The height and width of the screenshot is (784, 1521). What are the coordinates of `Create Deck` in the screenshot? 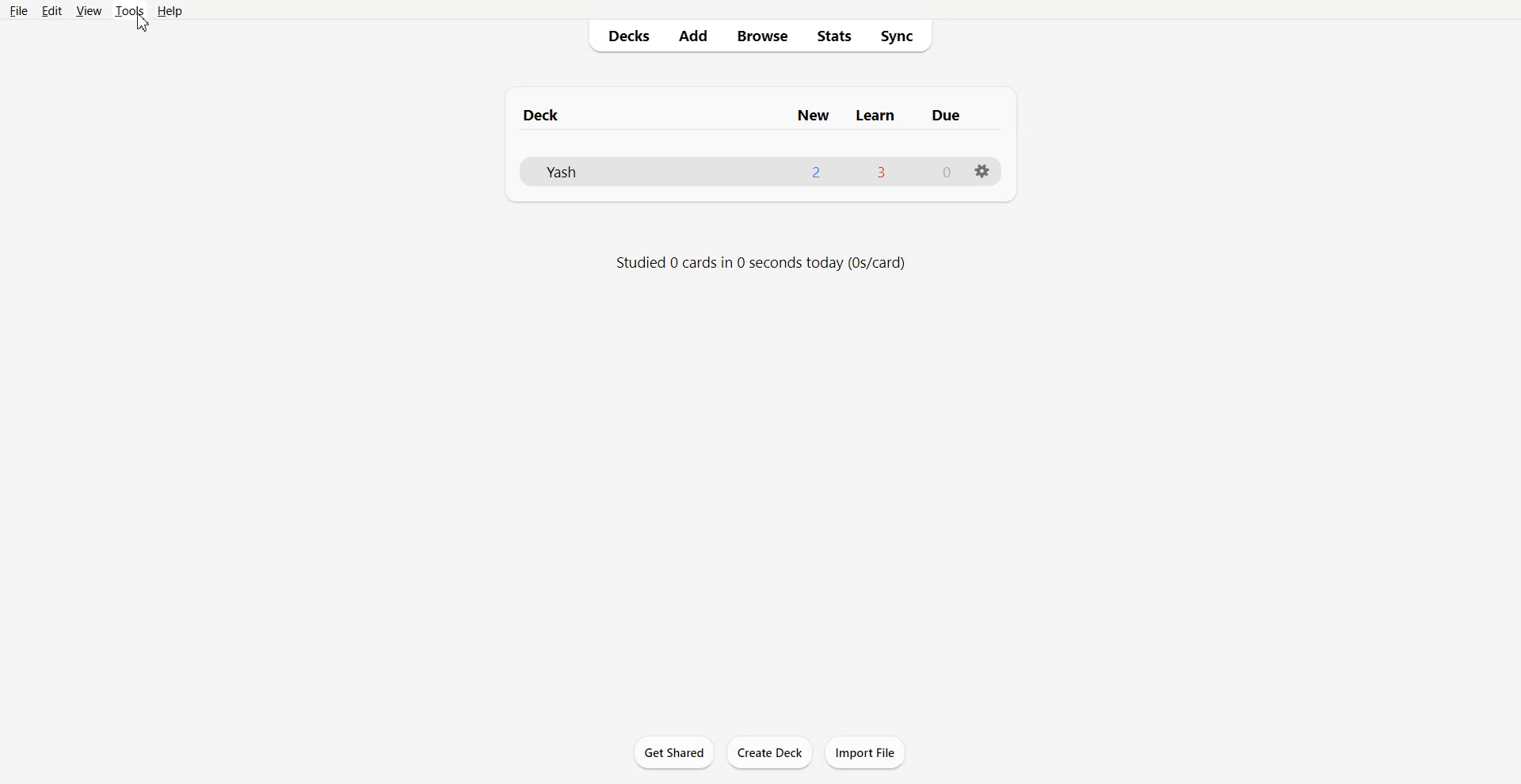 It's located at (769, 752).